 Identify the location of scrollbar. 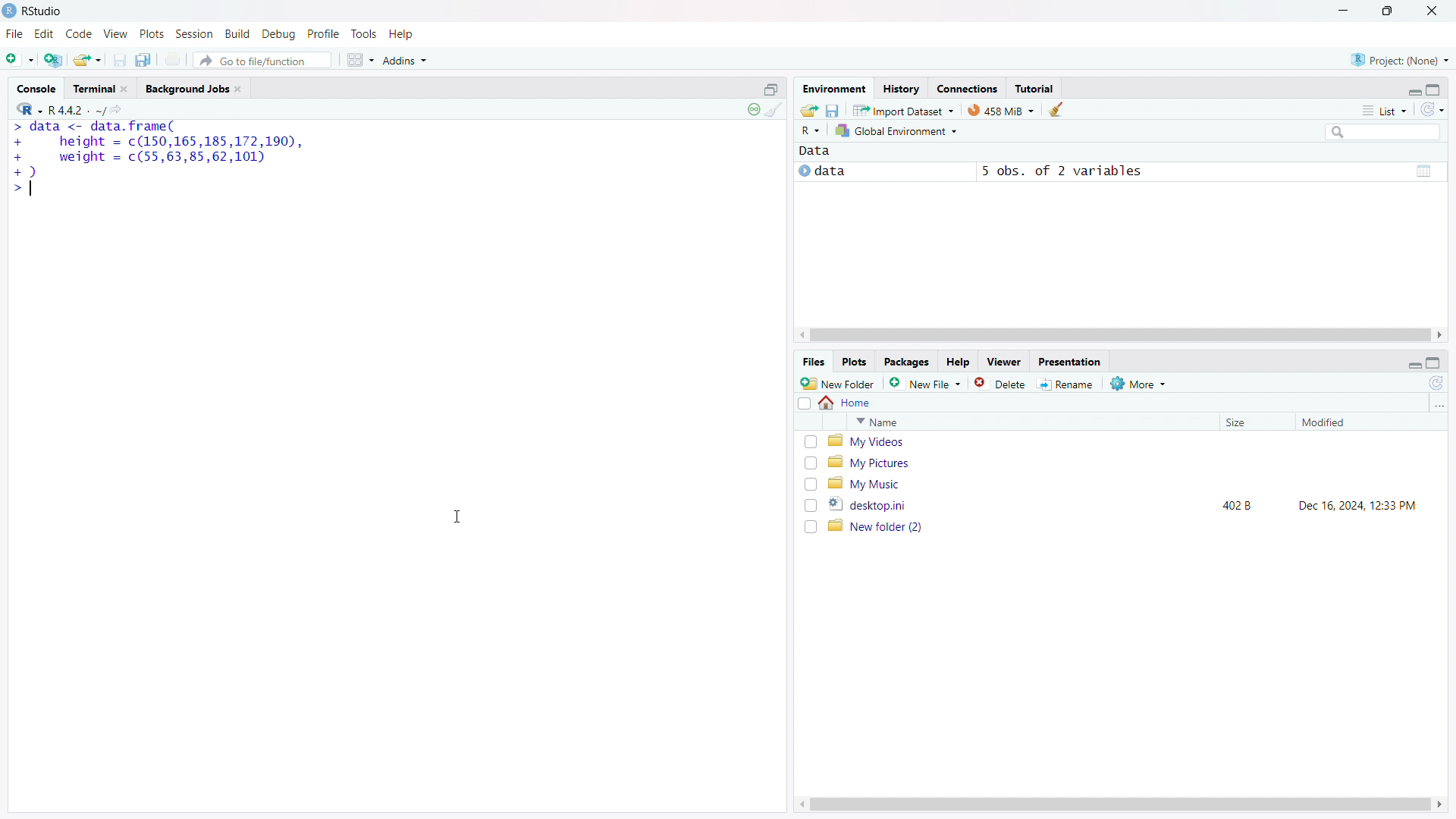
(1119, 336).